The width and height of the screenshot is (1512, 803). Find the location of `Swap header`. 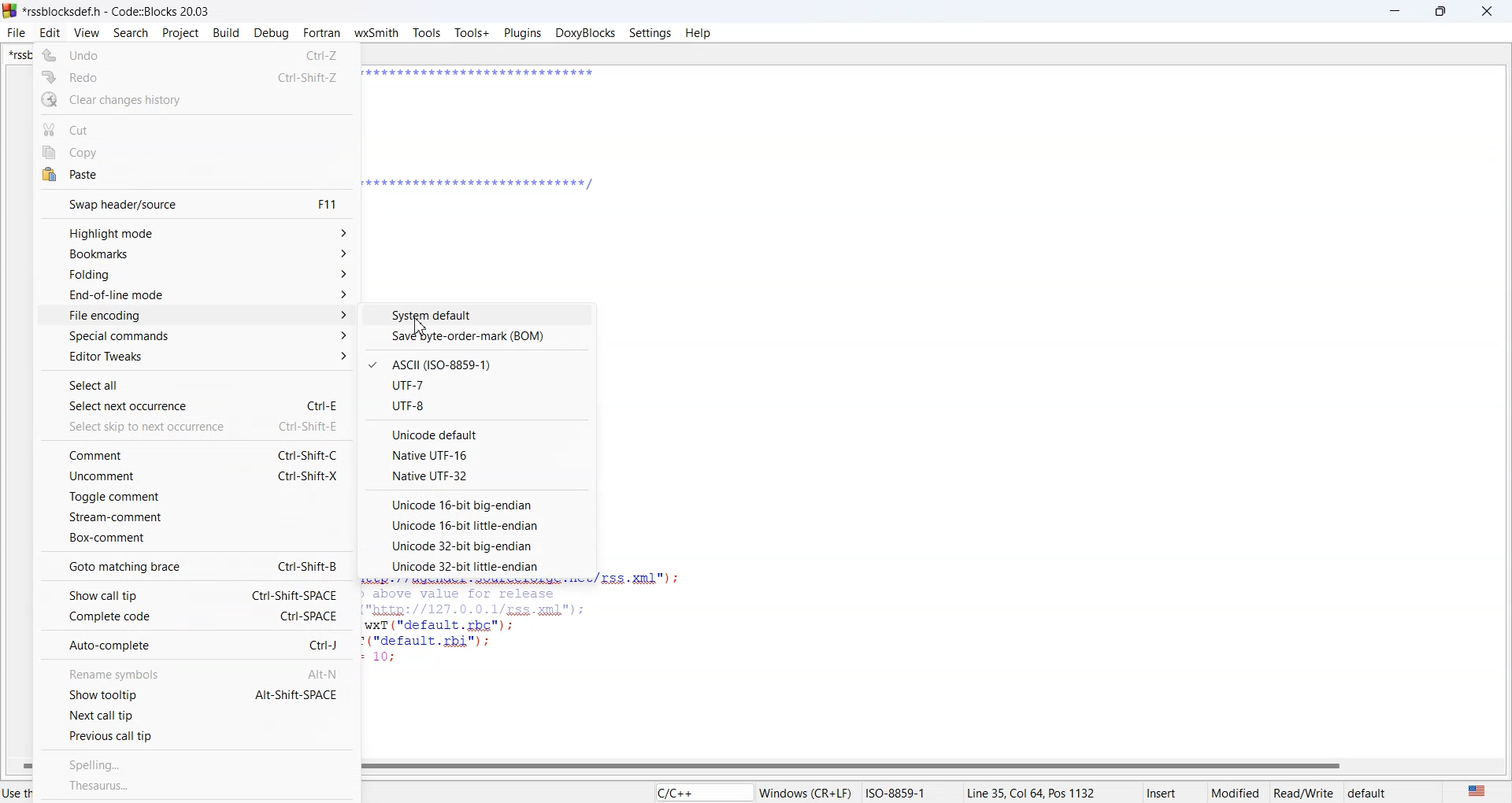

Swap header is located at coordinates (197, 204).